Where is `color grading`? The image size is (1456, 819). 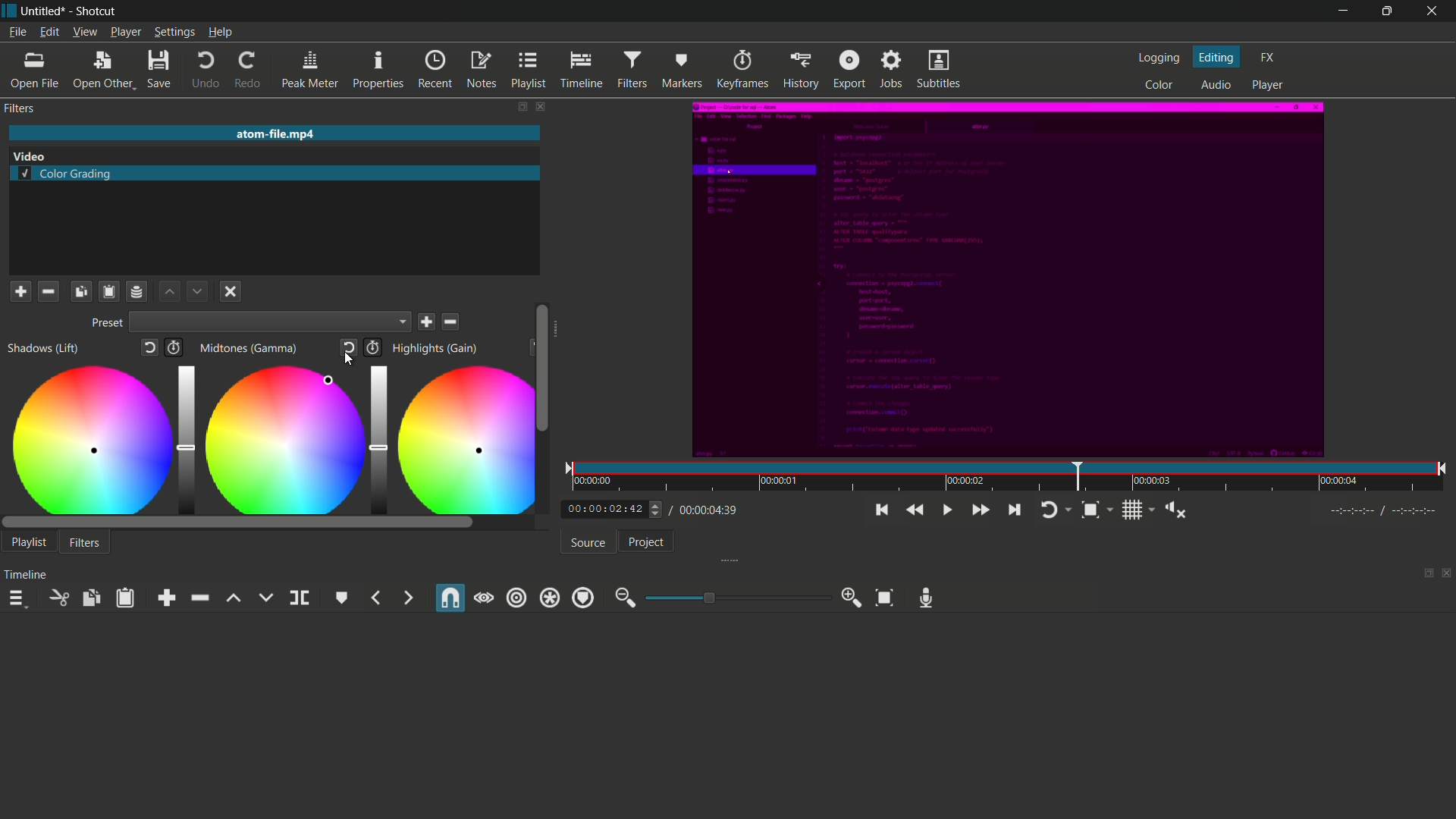 color grading is located at coordinates (66, 175).